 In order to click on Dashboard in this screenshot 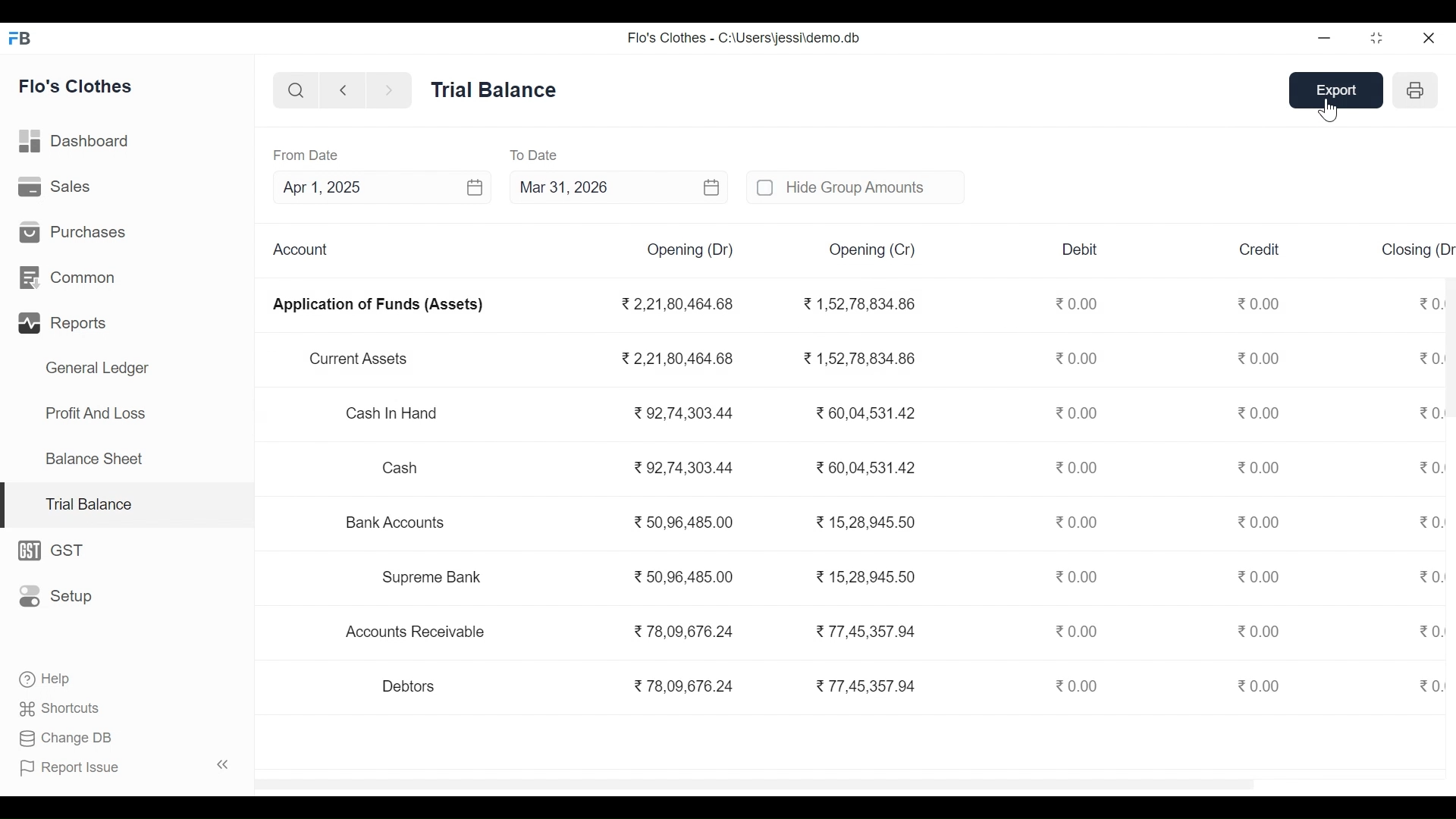, I will do `click(76, 141)`.